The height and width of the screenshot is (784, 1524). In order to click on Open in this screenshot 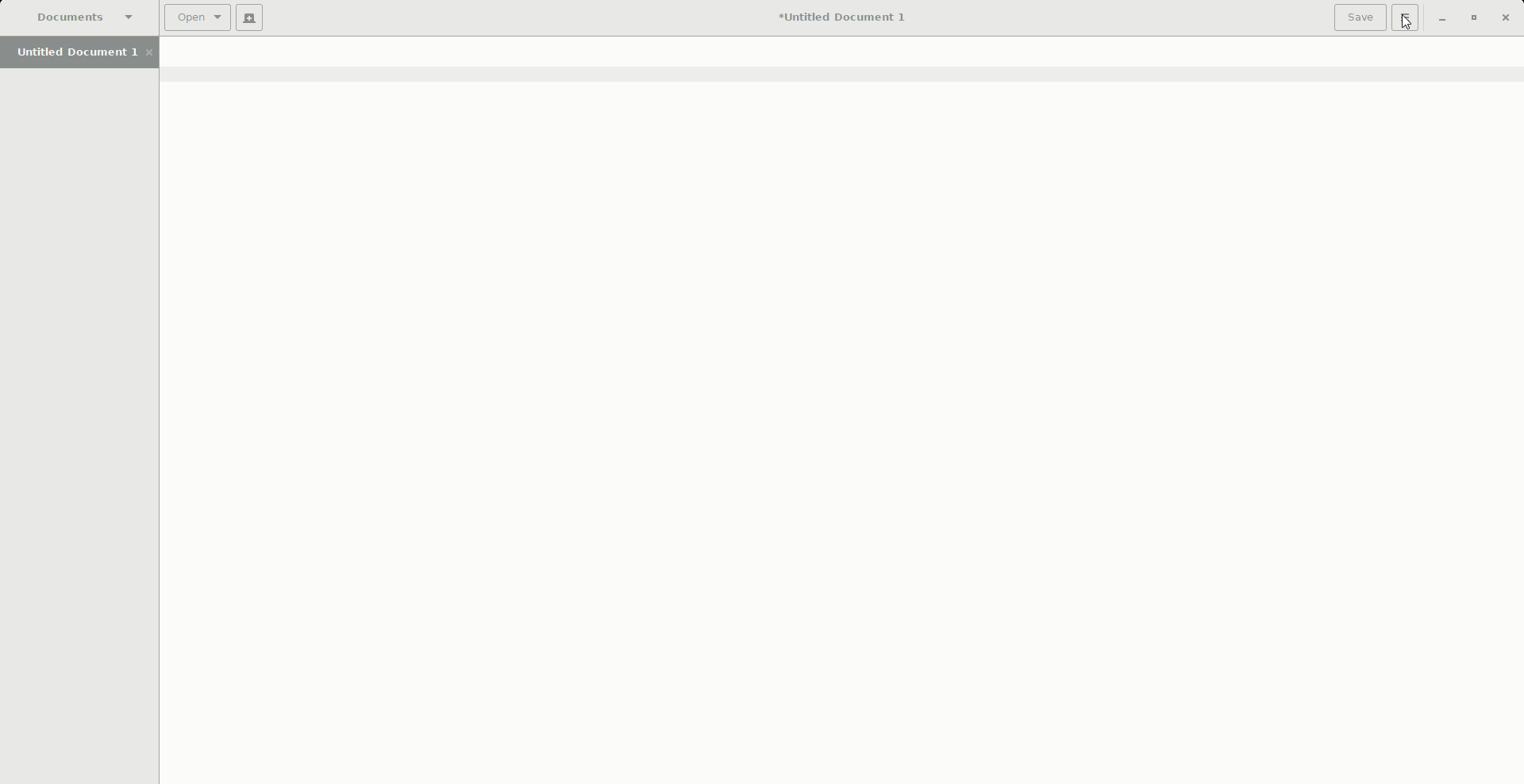, I will do `click(199, 17)`.